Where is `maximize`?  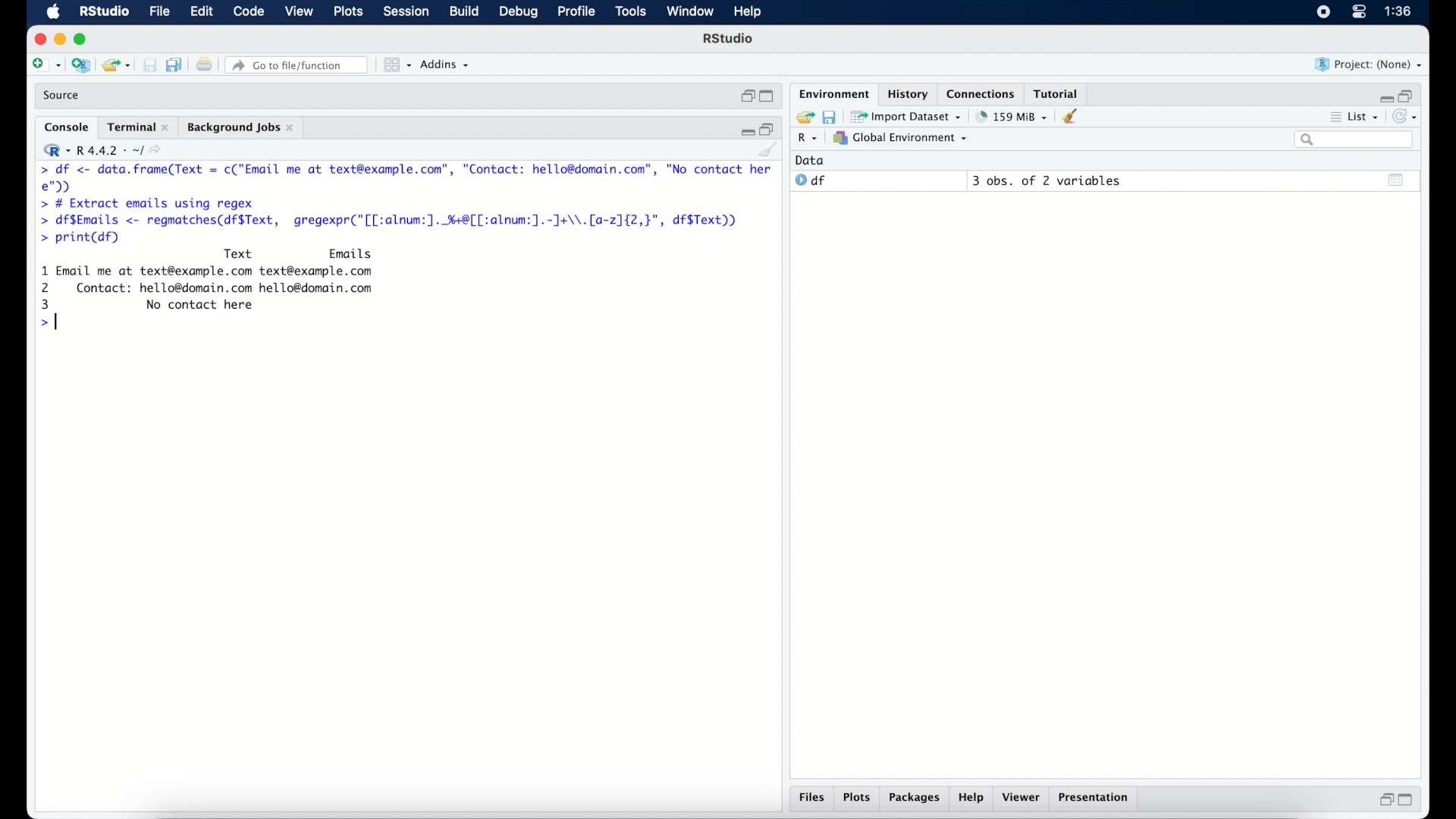 maximize is located at coordinates (766, 96).